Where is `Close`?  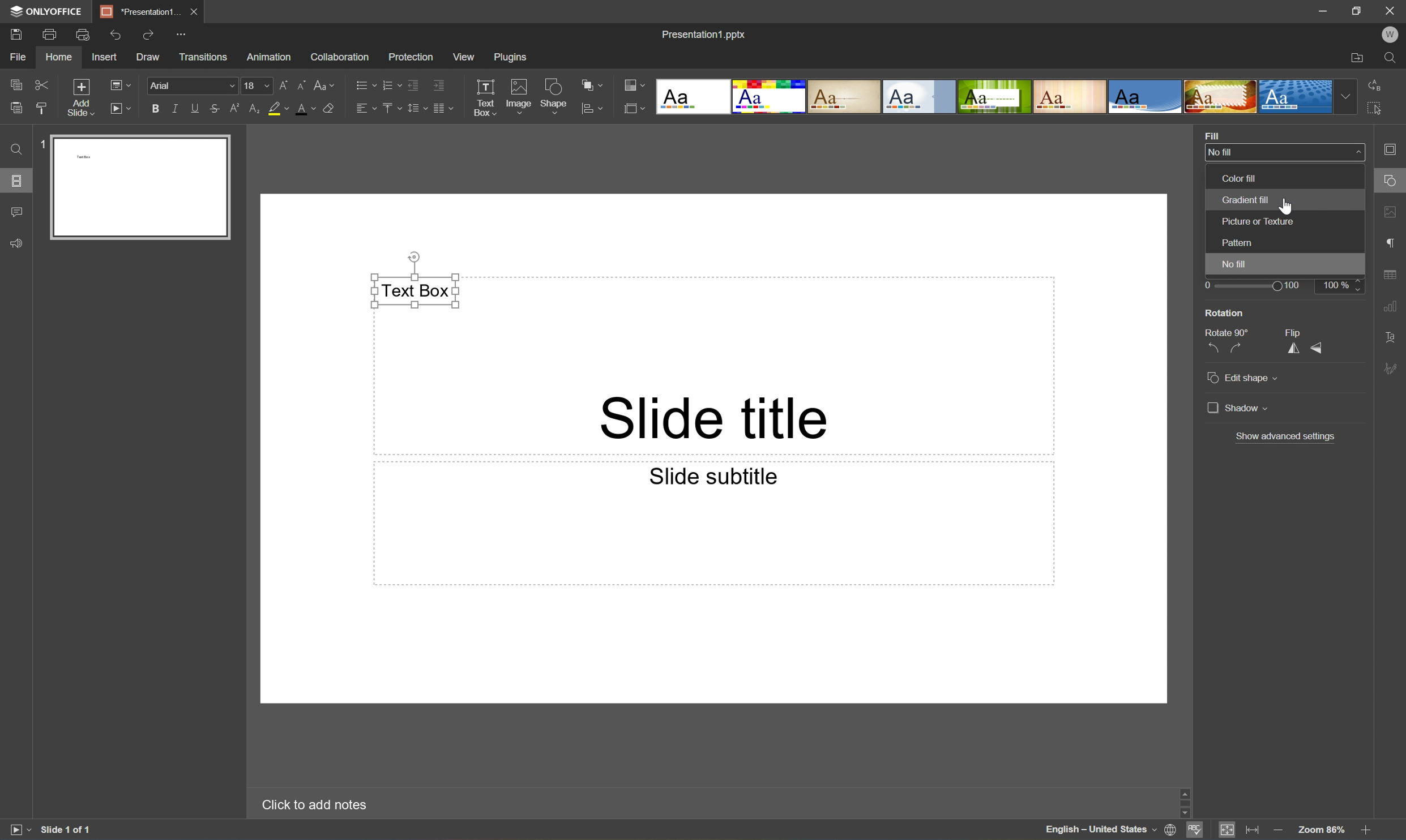 Close is located at coordinates (1392, 10).